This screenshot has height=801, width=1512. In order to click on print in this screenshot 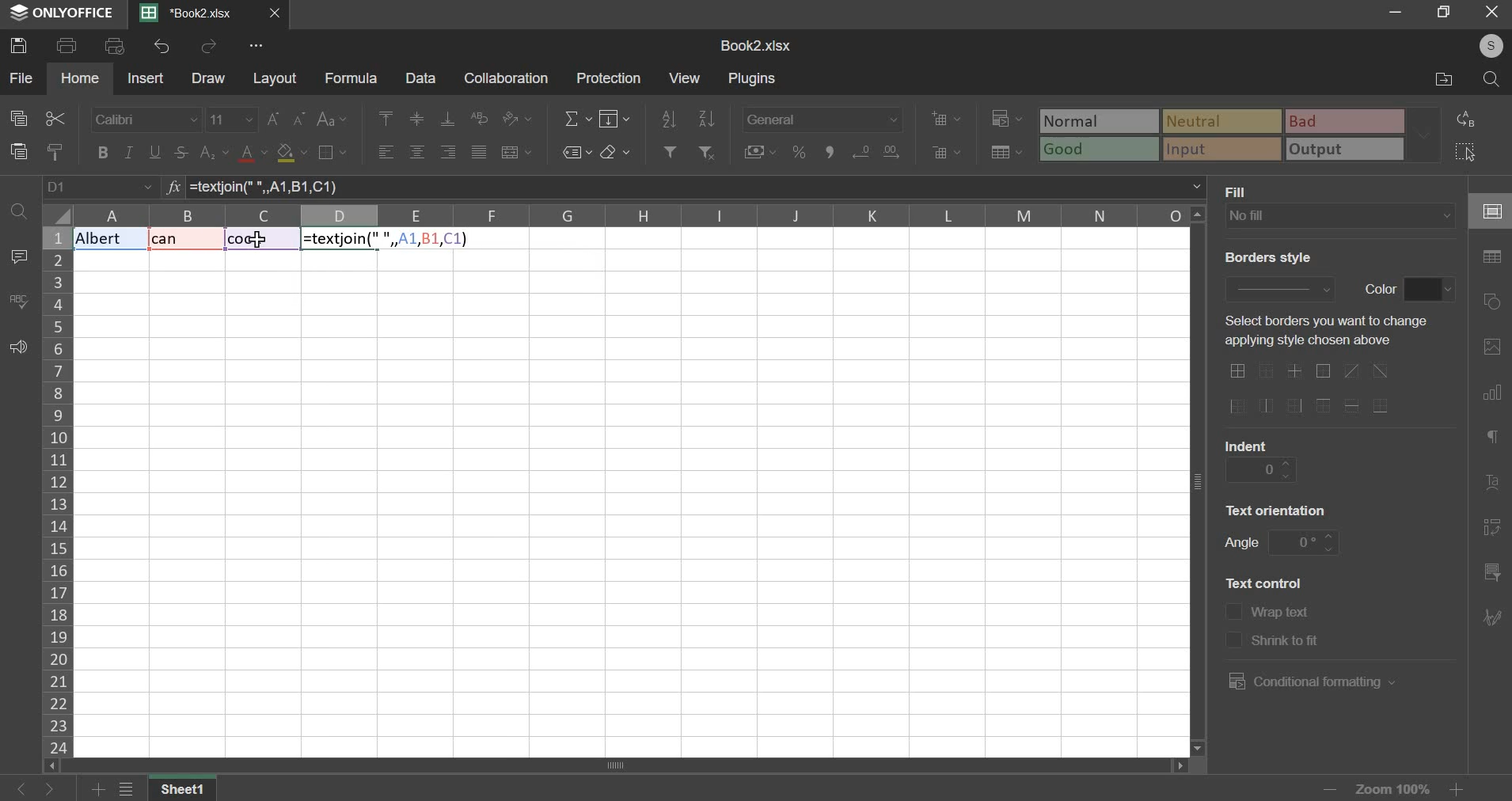, I will do `click(67, 46)`.